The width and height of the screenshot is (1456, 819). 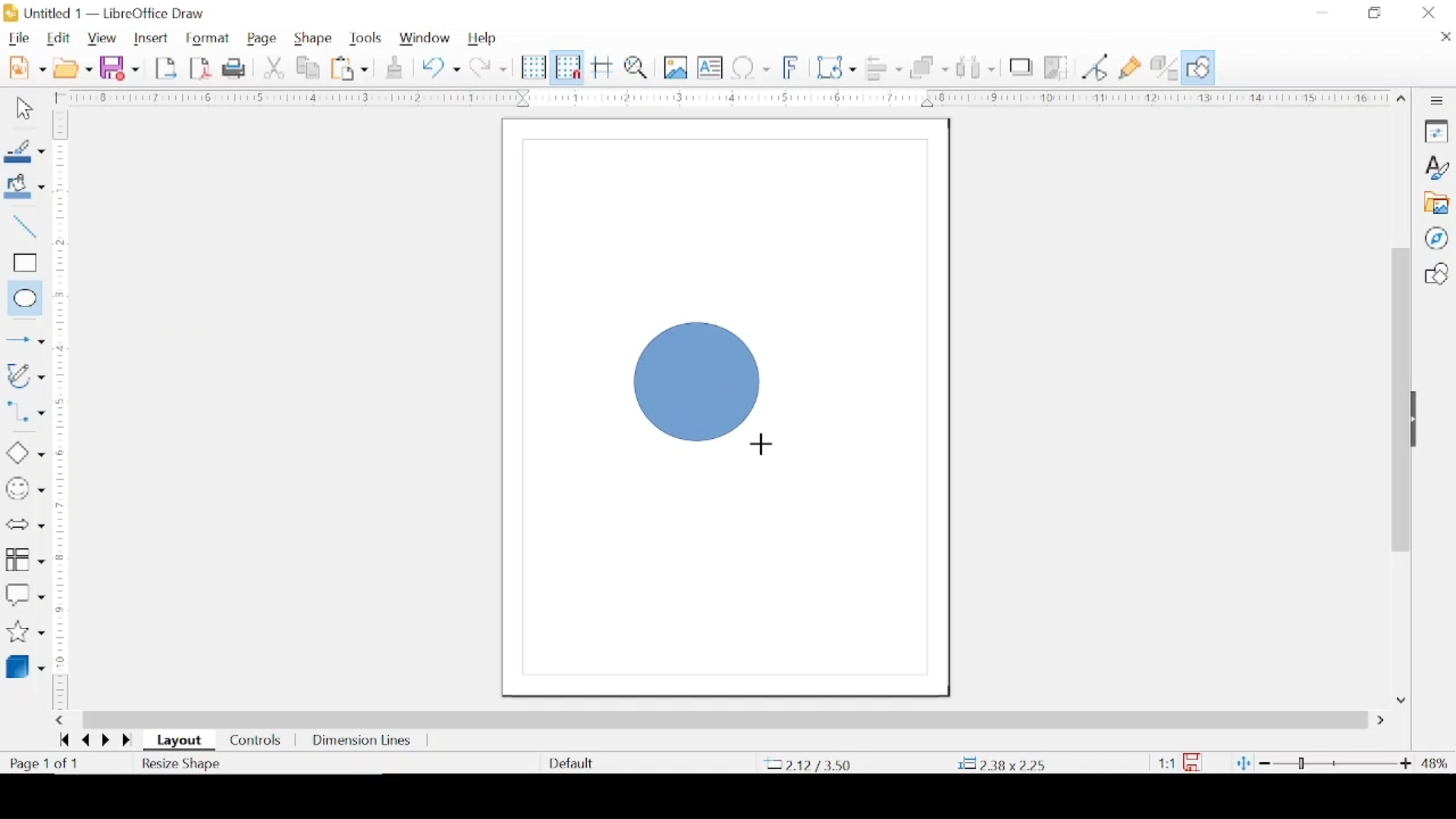 I want to click on view, so click(x=102, y=39).